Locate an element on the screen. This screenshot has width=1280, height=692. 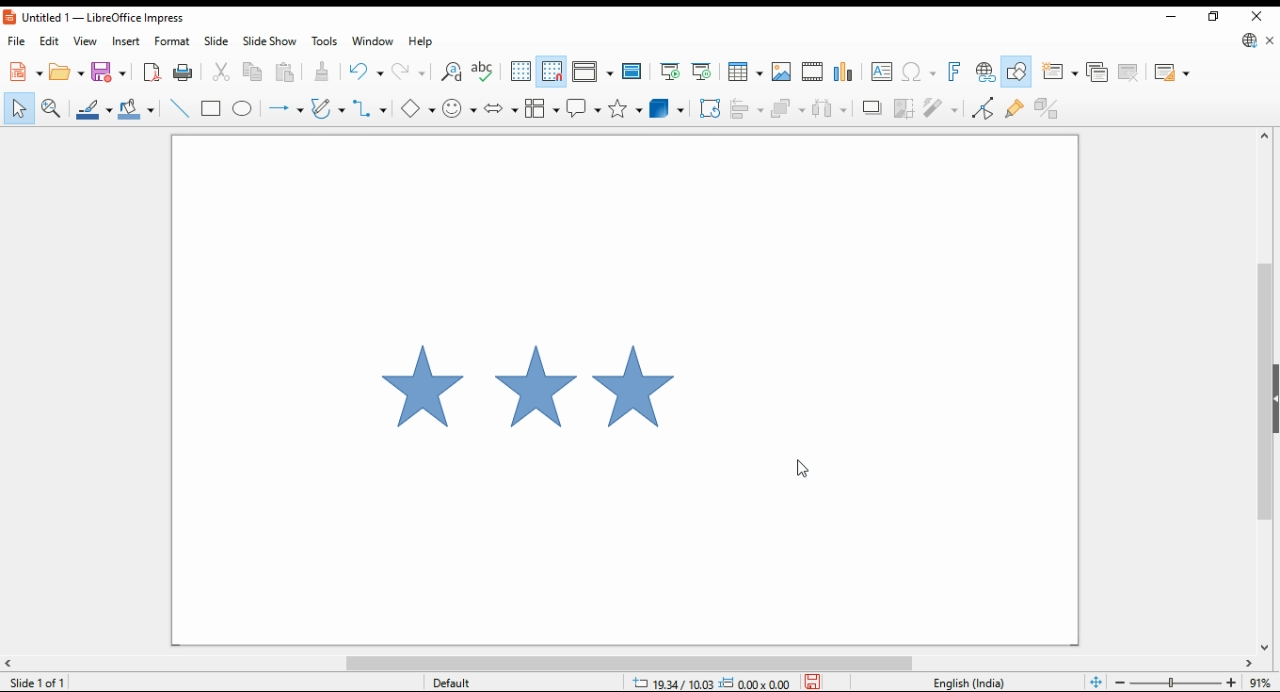
shadows is located at coordinates (872, 108).